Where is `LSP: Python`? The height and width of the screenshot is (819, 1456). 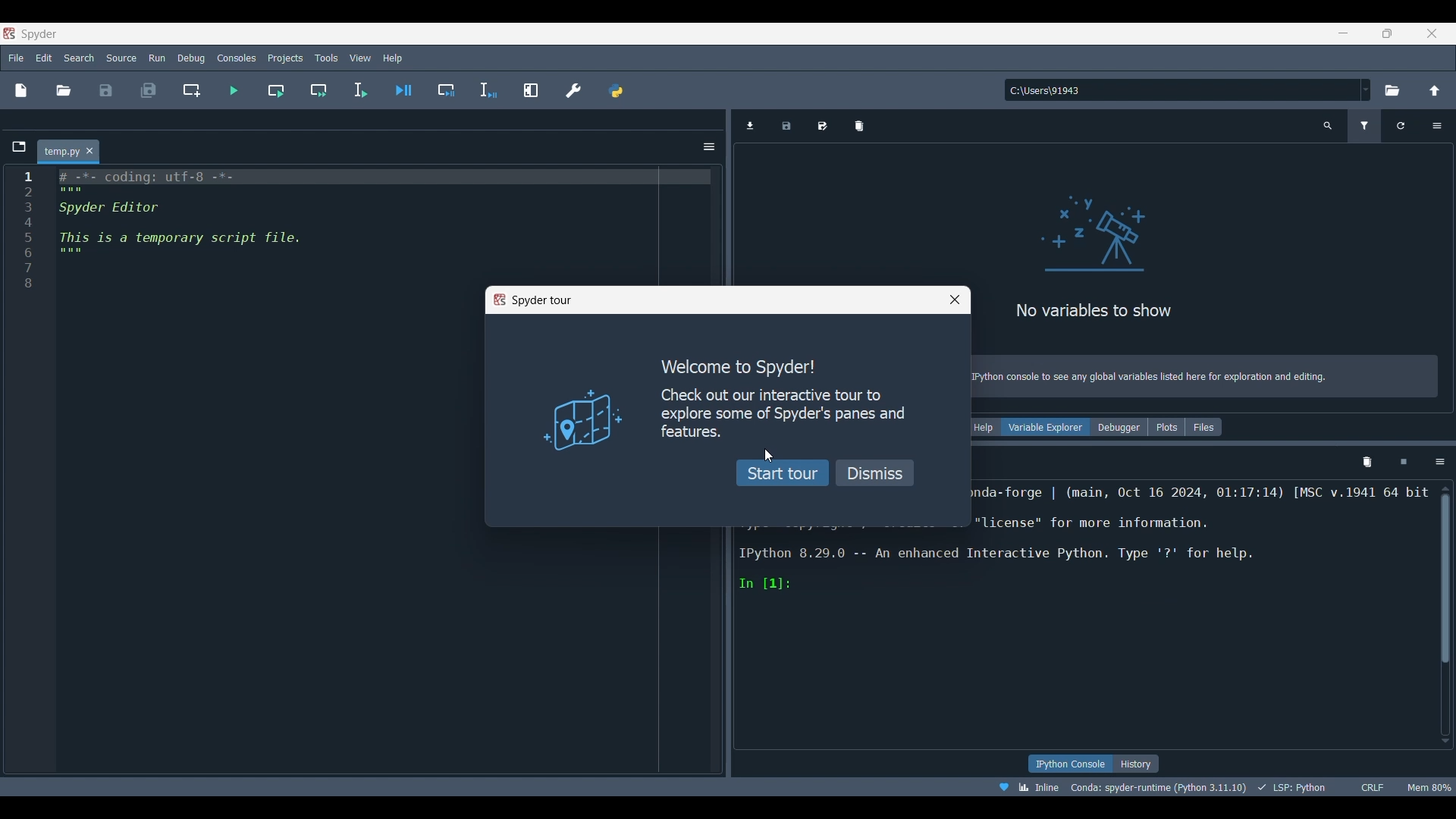
LSP: Python is located at coordinates (1191, 789).